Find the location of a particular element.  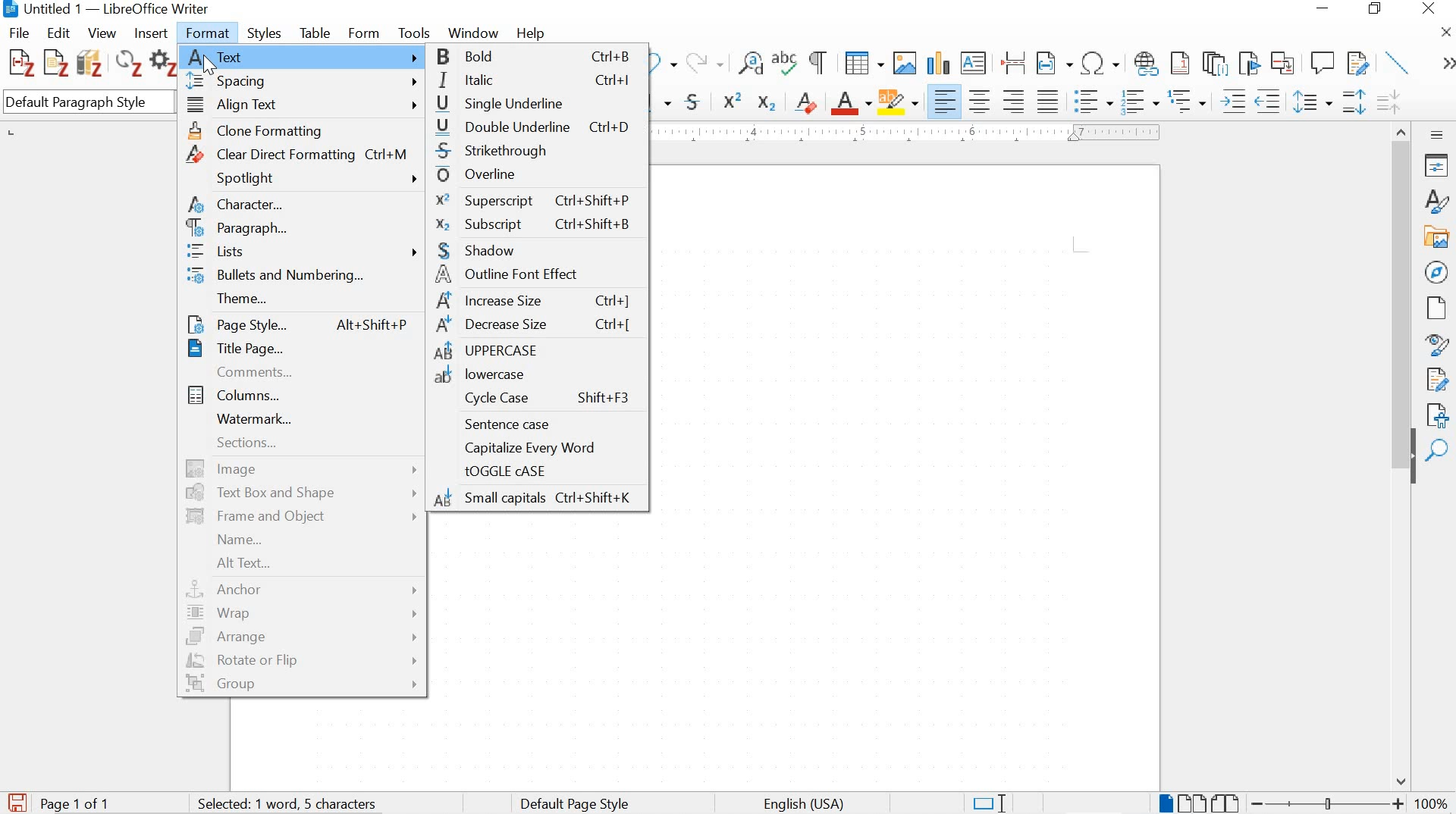

cycle case           Shift+F3 is located at coordinates (537, 399).